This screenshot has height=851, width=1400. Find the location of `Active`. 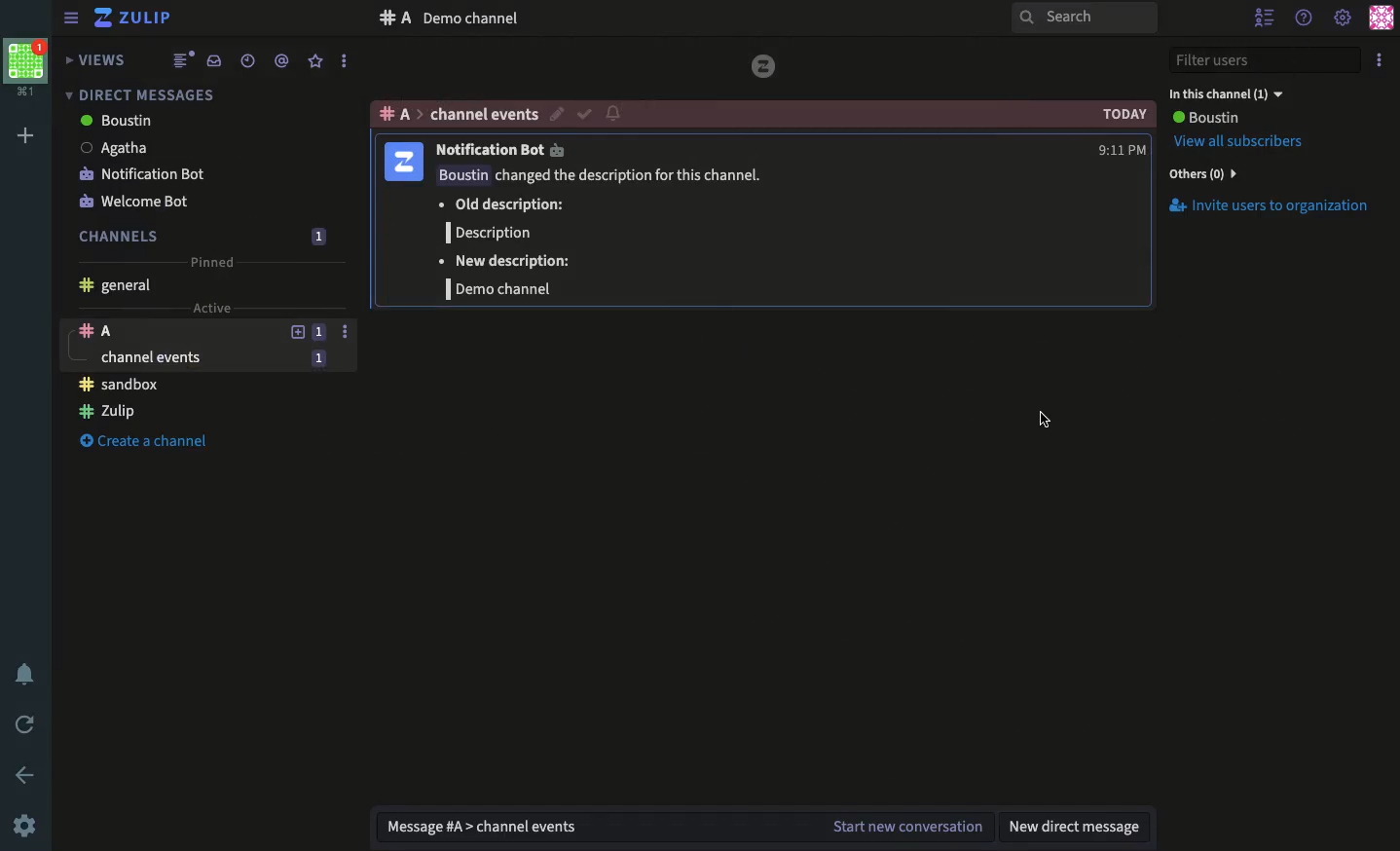

Active is located at coordinates (210, 307).